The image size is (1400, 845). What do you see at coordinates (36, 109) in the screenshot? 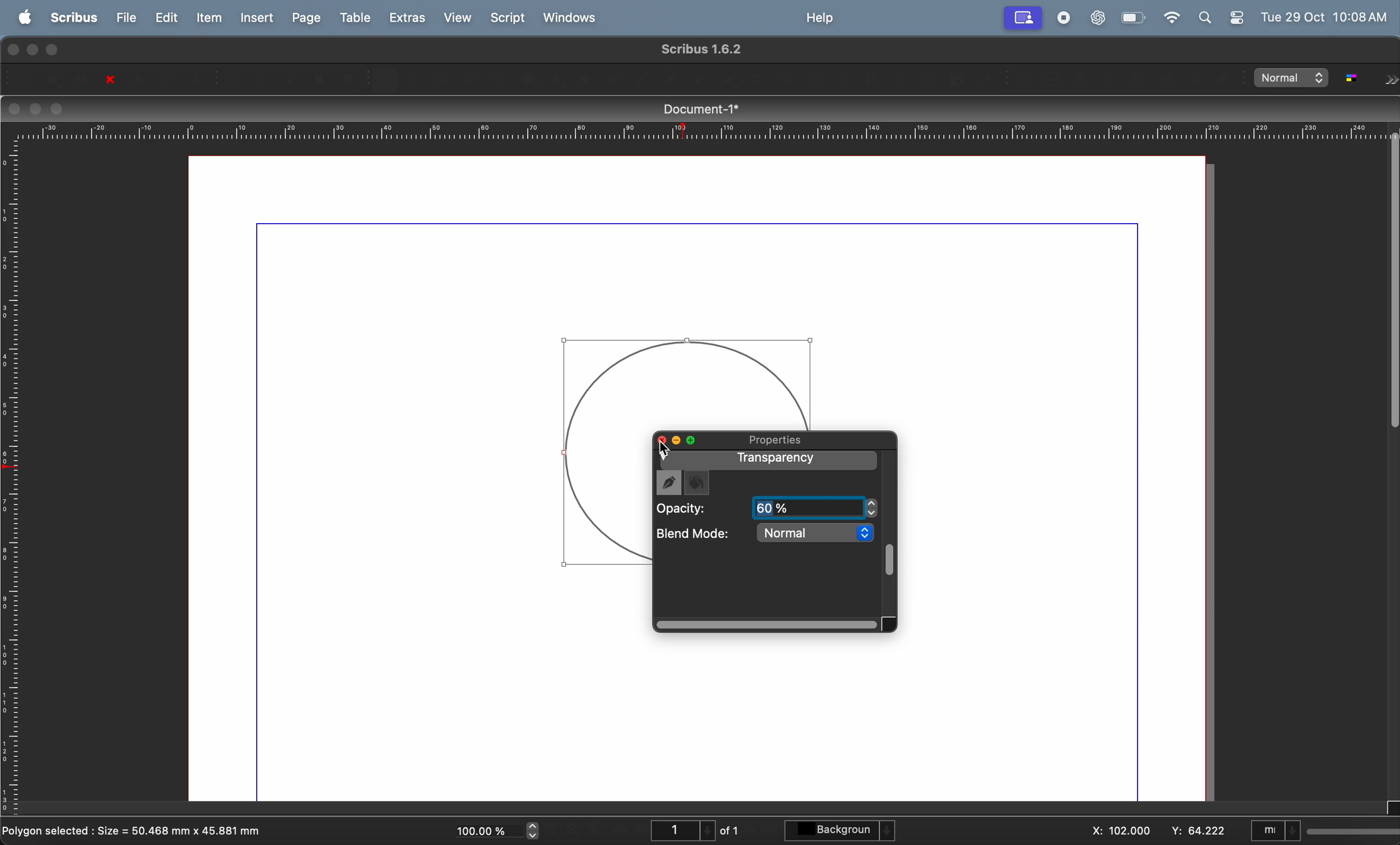
I see `minimize` at bounding box center [36, 109].